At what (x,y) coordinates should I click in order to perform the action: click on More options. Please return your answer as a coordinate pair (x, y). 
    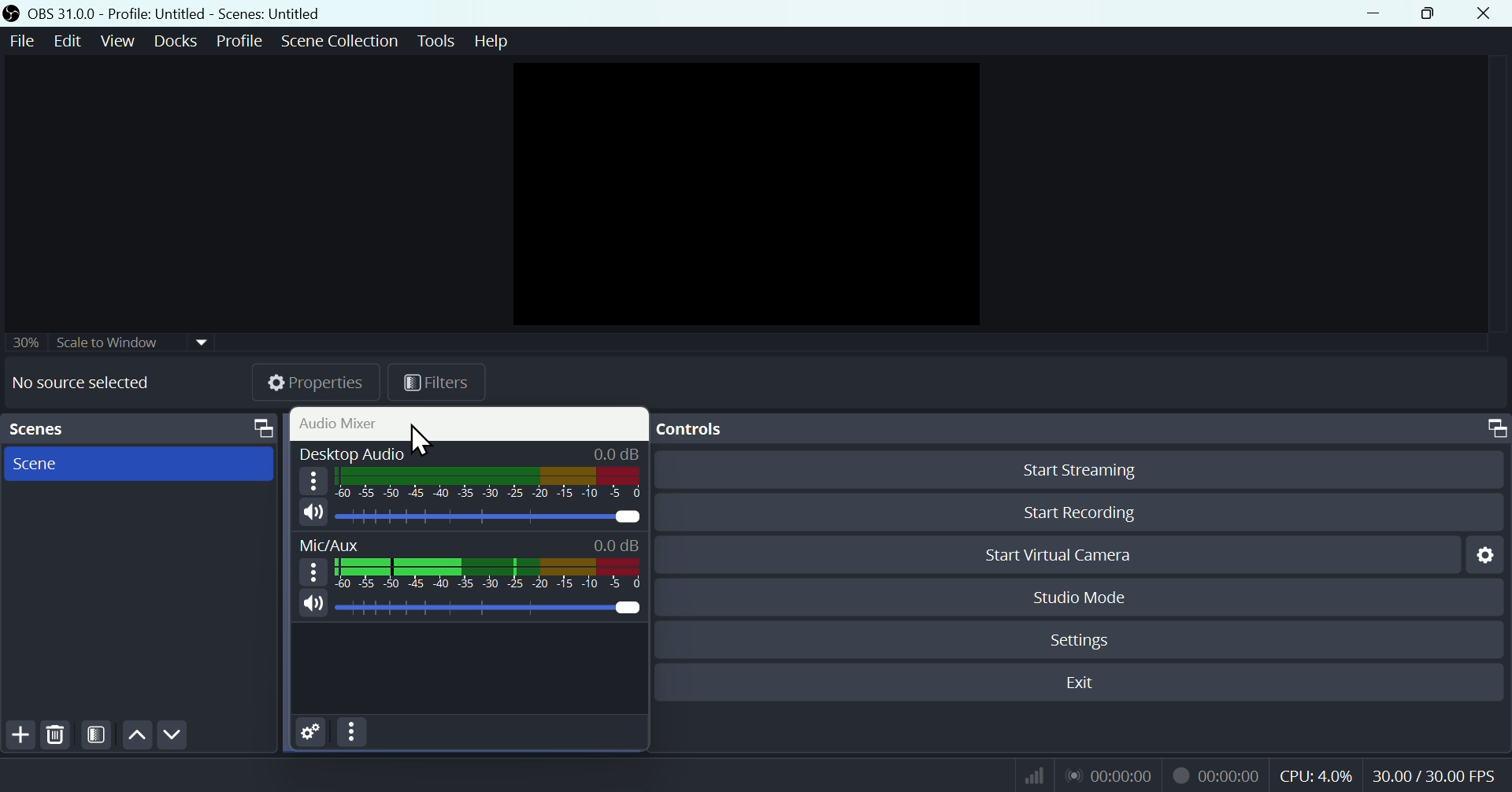
    Looking at the image, I should click on (313, 571).